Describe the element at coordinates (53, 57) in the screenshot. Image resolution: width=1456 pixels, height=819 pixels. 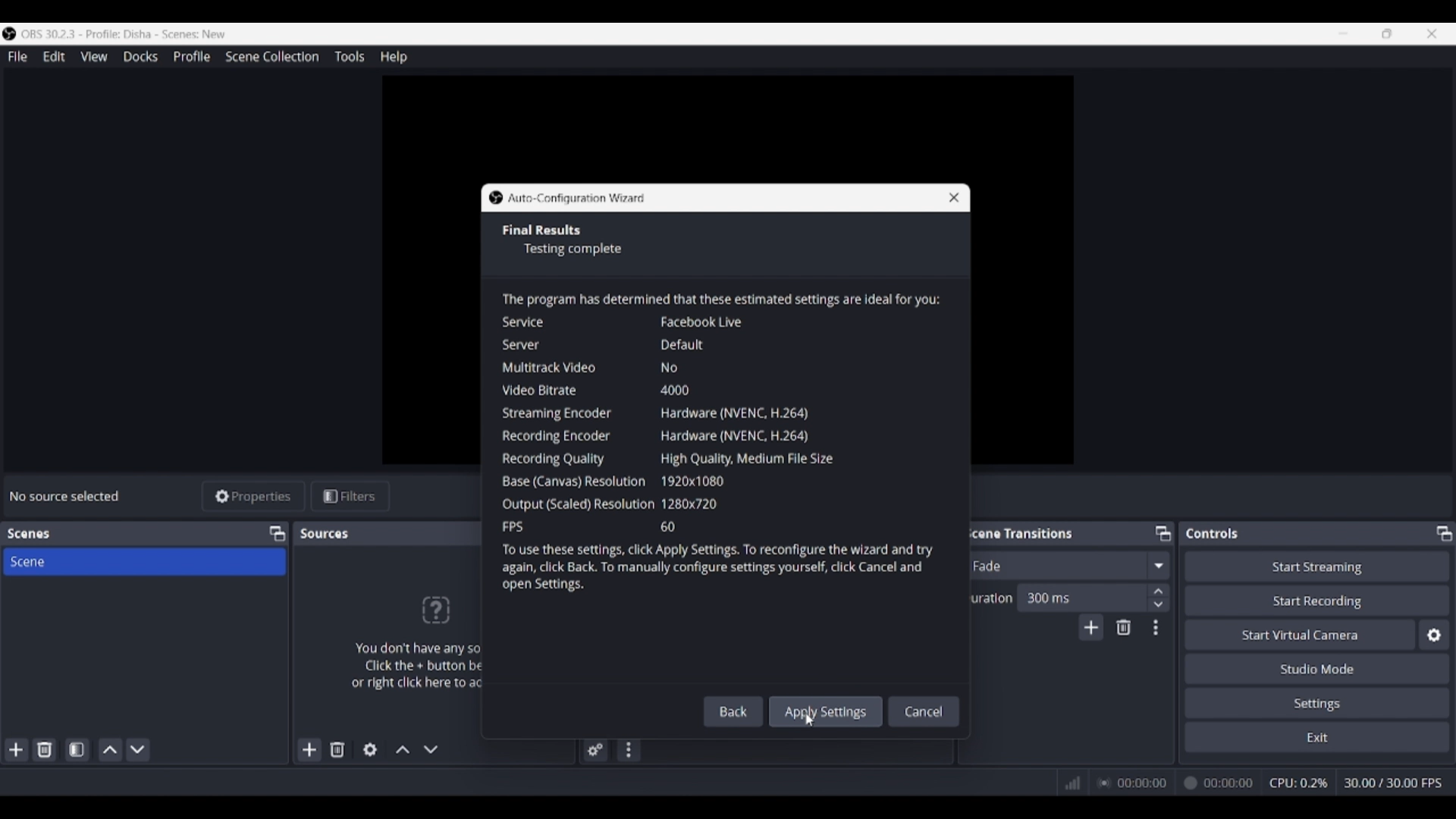
I see `Edit menu` at that location.